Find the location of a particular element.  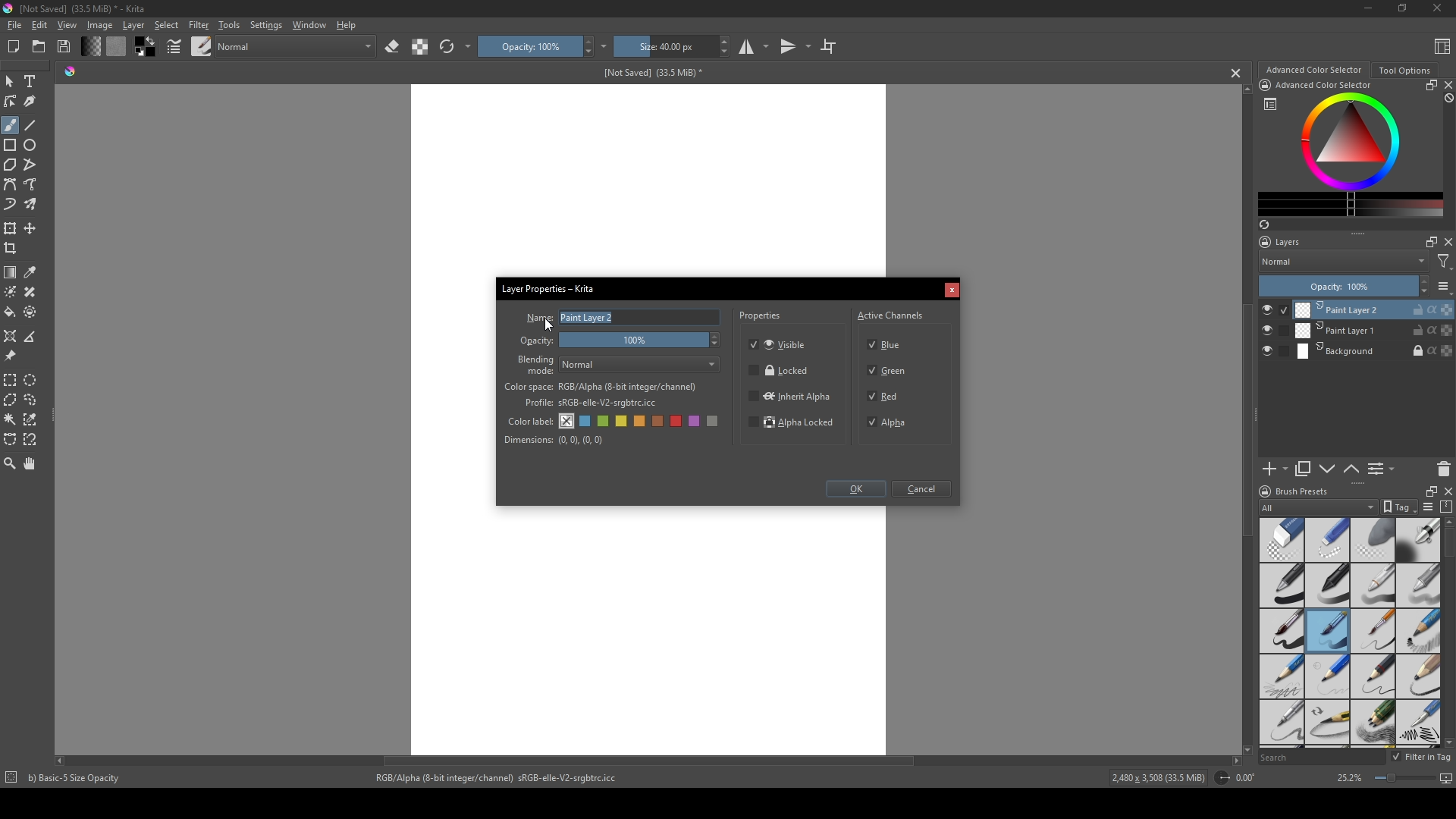

Cancel is located at coordinates (924, 490).